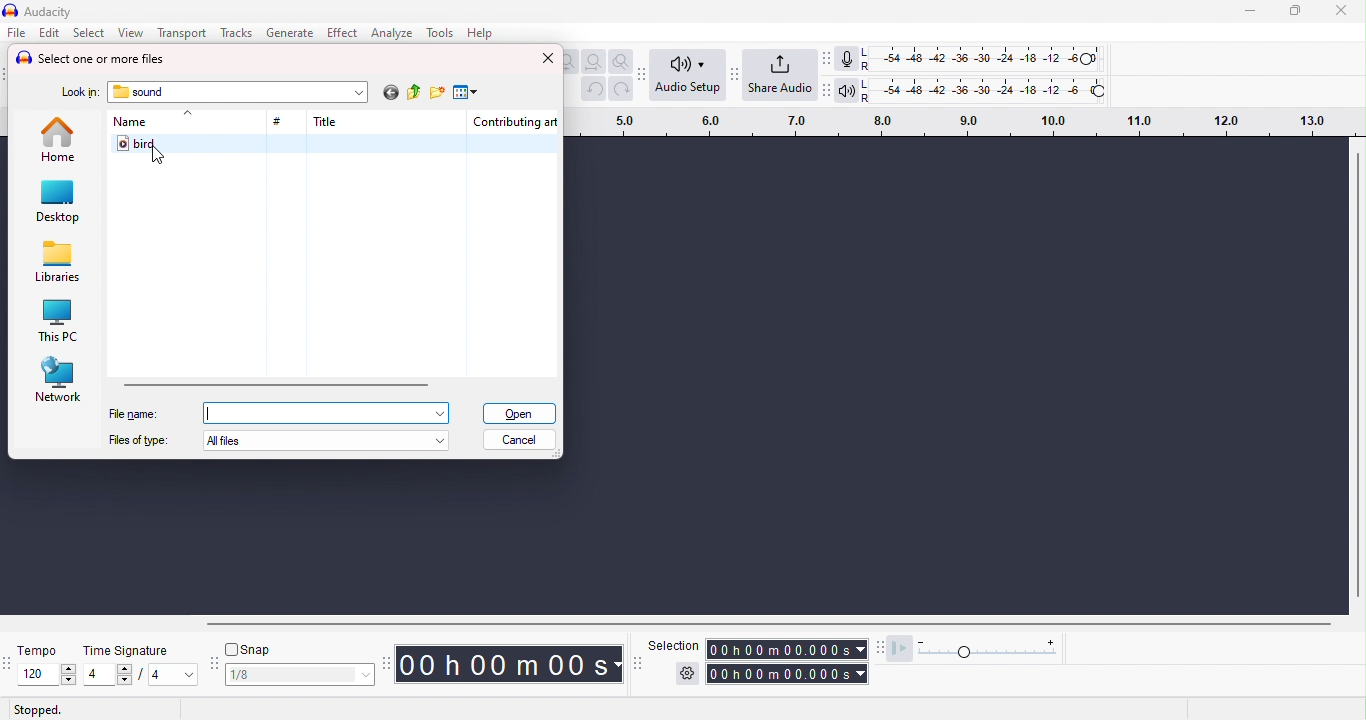 The image size is (1366, 720). I want to click on fit project to width, so click(593, 62).